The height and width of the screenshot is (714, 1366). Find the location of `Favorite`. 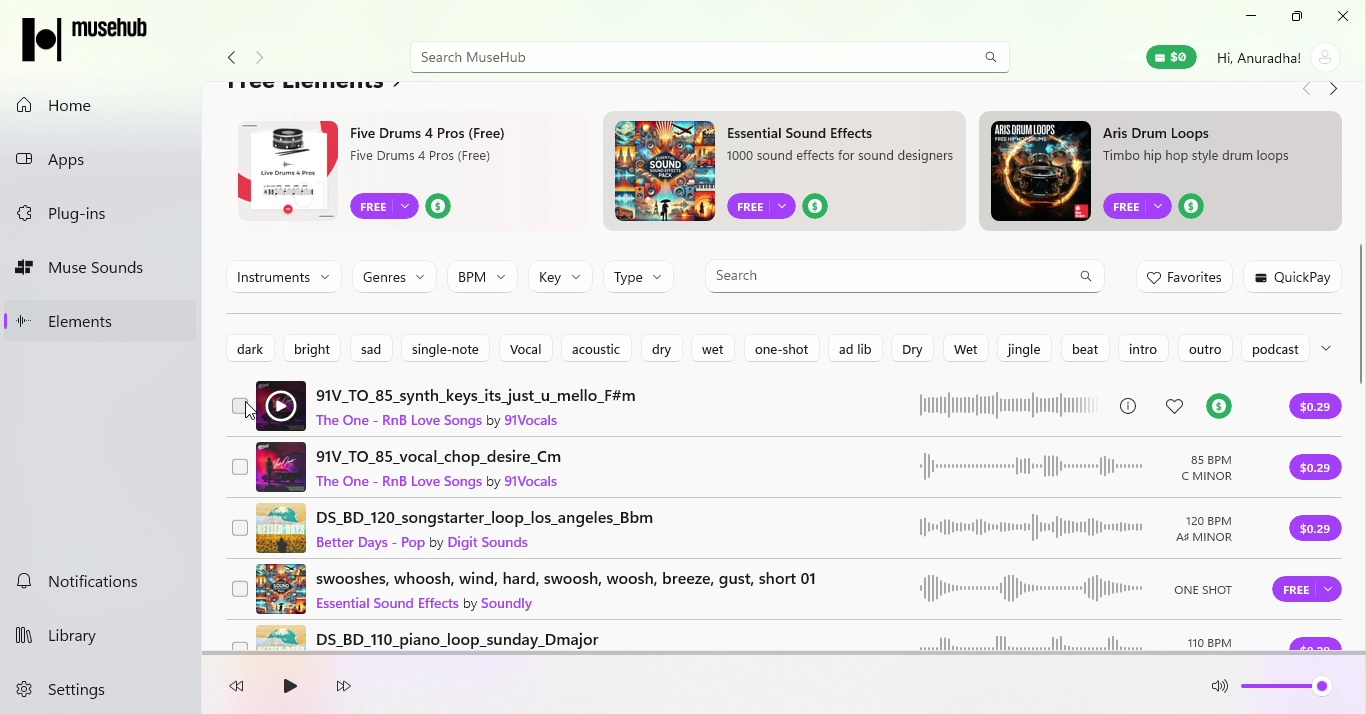

Favorite is located at coordinates (1177, 406).